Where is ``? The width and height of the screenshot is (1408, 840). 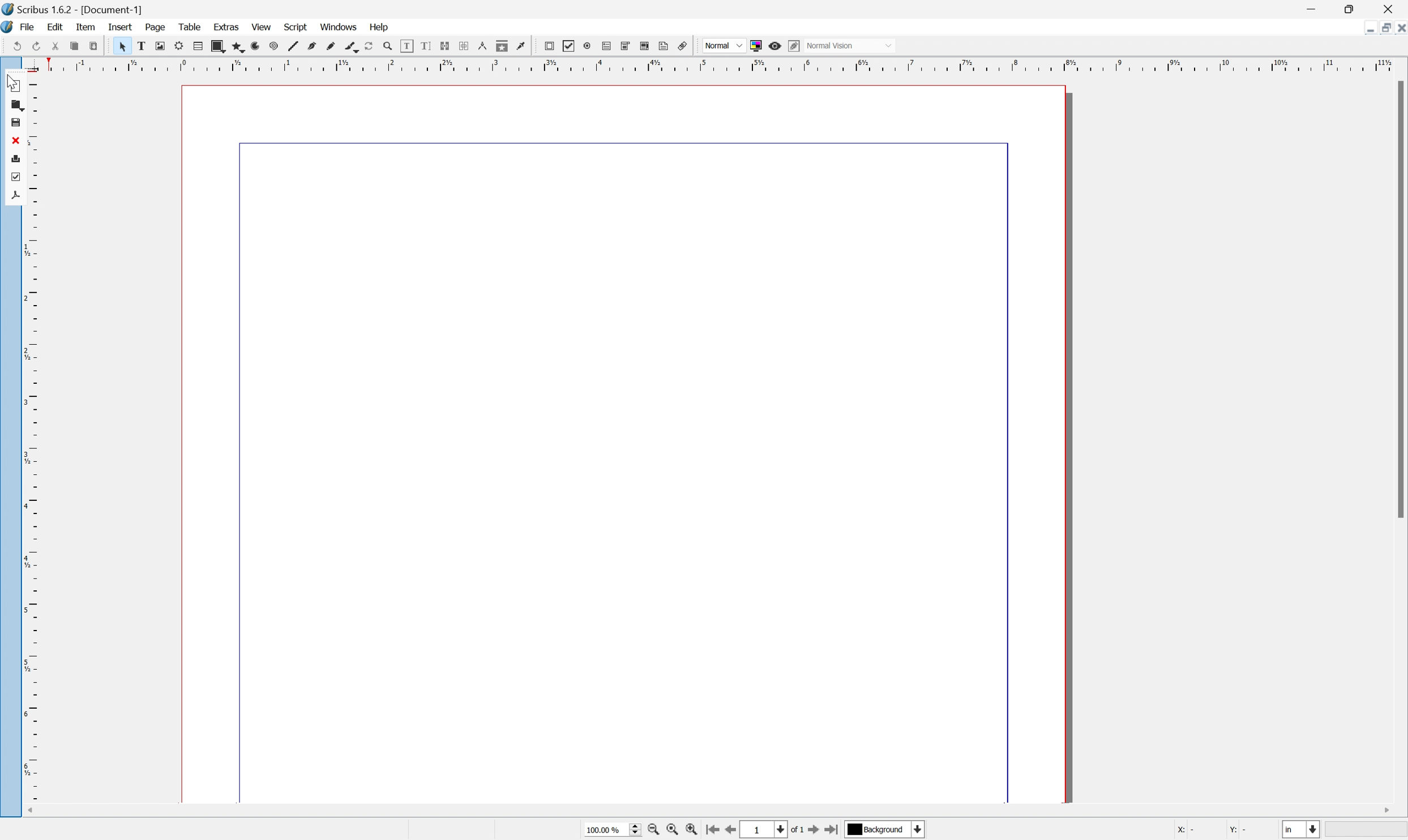
 is located at coordinates (724, 46).